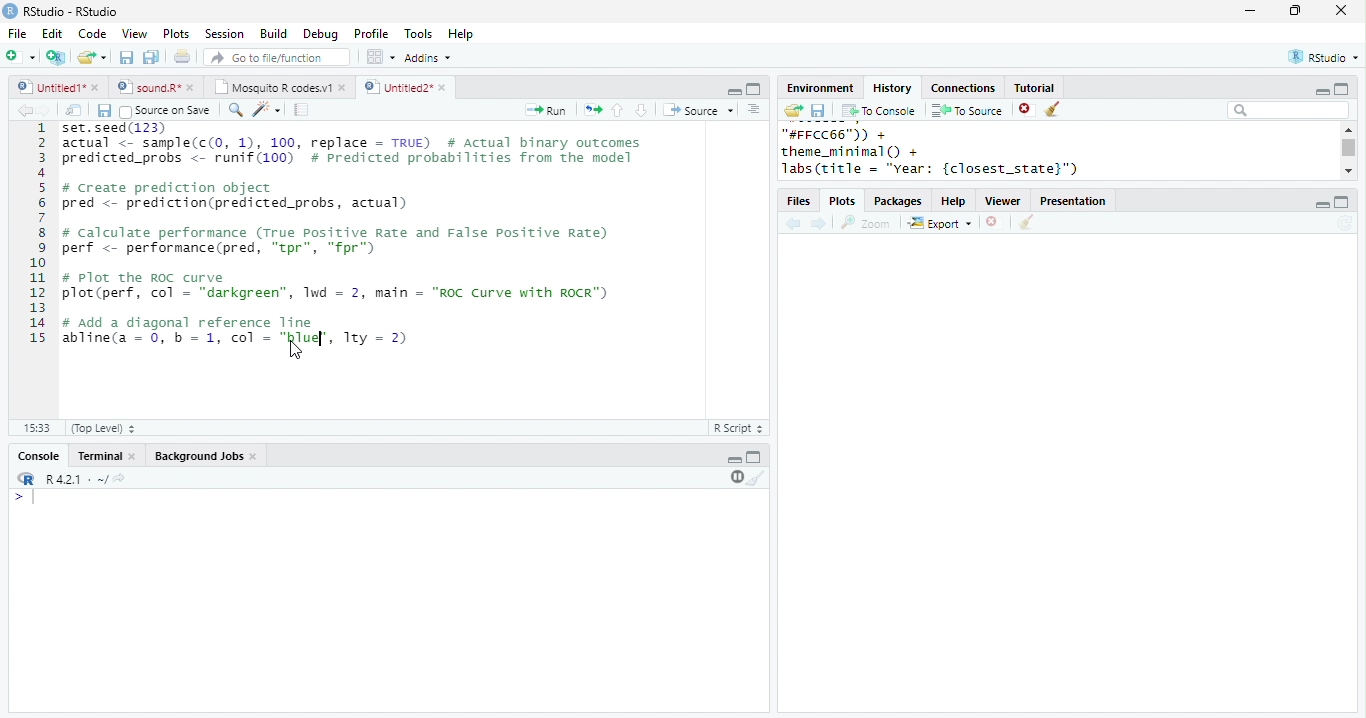 This screenshot has height=718, width=1366. What do you see at coordinates (1350, 148) in the screenshot?
I see `scroll bar` at bounding box center [1350, 148].